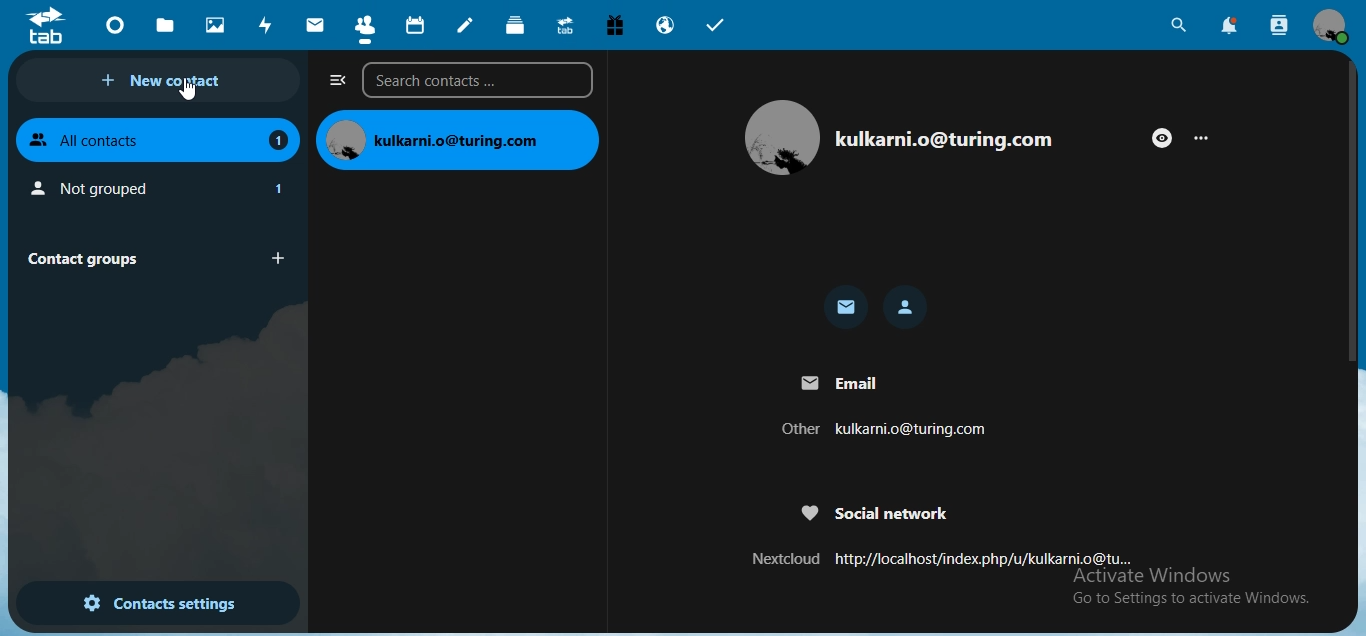 This screenshot has height=636, width=1366. I want to click on , so click(1161, 137).